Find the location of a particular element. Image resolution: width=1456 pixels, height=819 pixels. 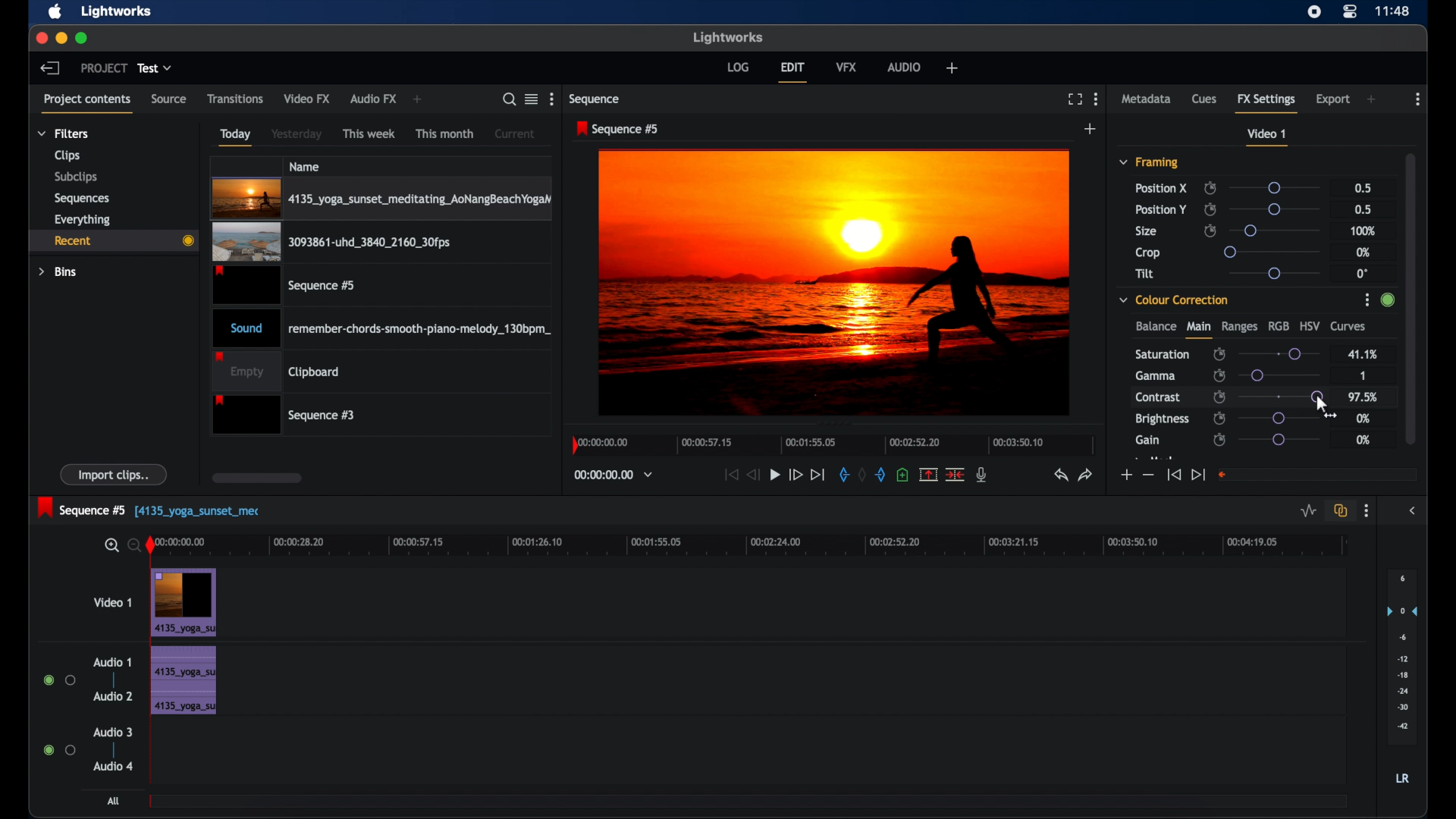

0% is located at coordinates (1364, 252).